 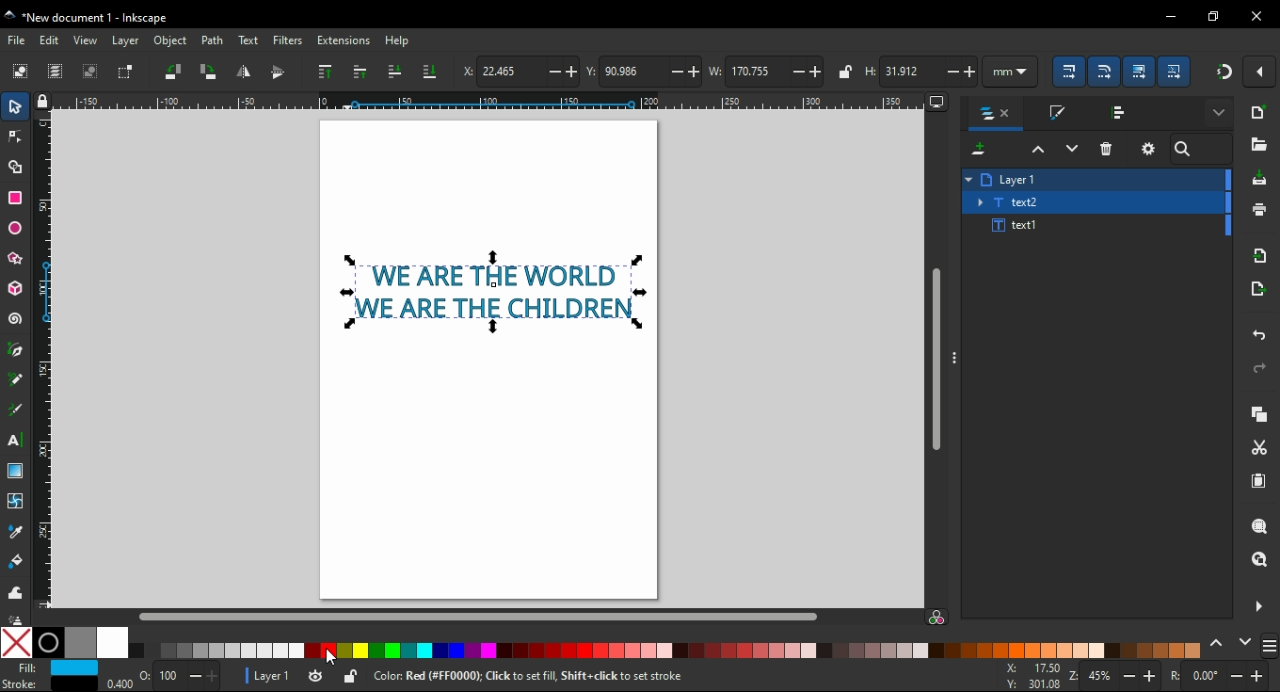 I want to click on lower selection one step, so click(x=1072, y=149).